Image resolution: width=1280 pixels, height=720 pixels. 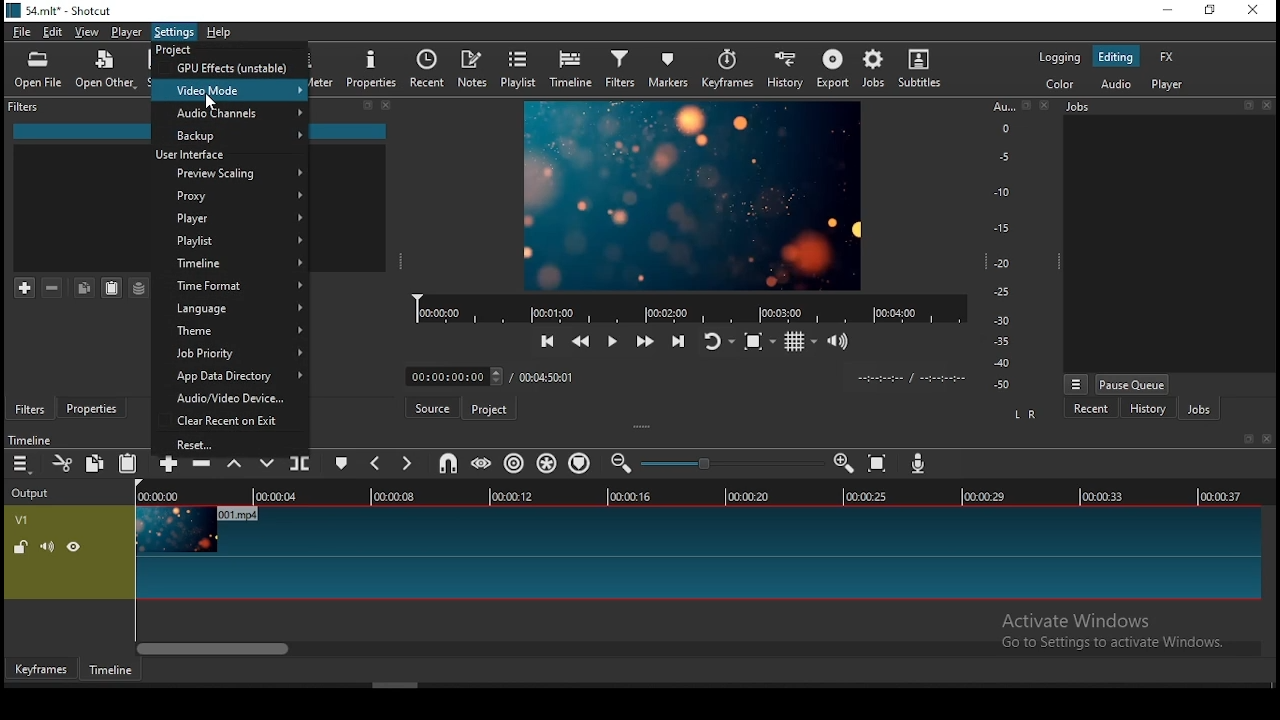 I want to click on restore, so click(x=1248, y=106).